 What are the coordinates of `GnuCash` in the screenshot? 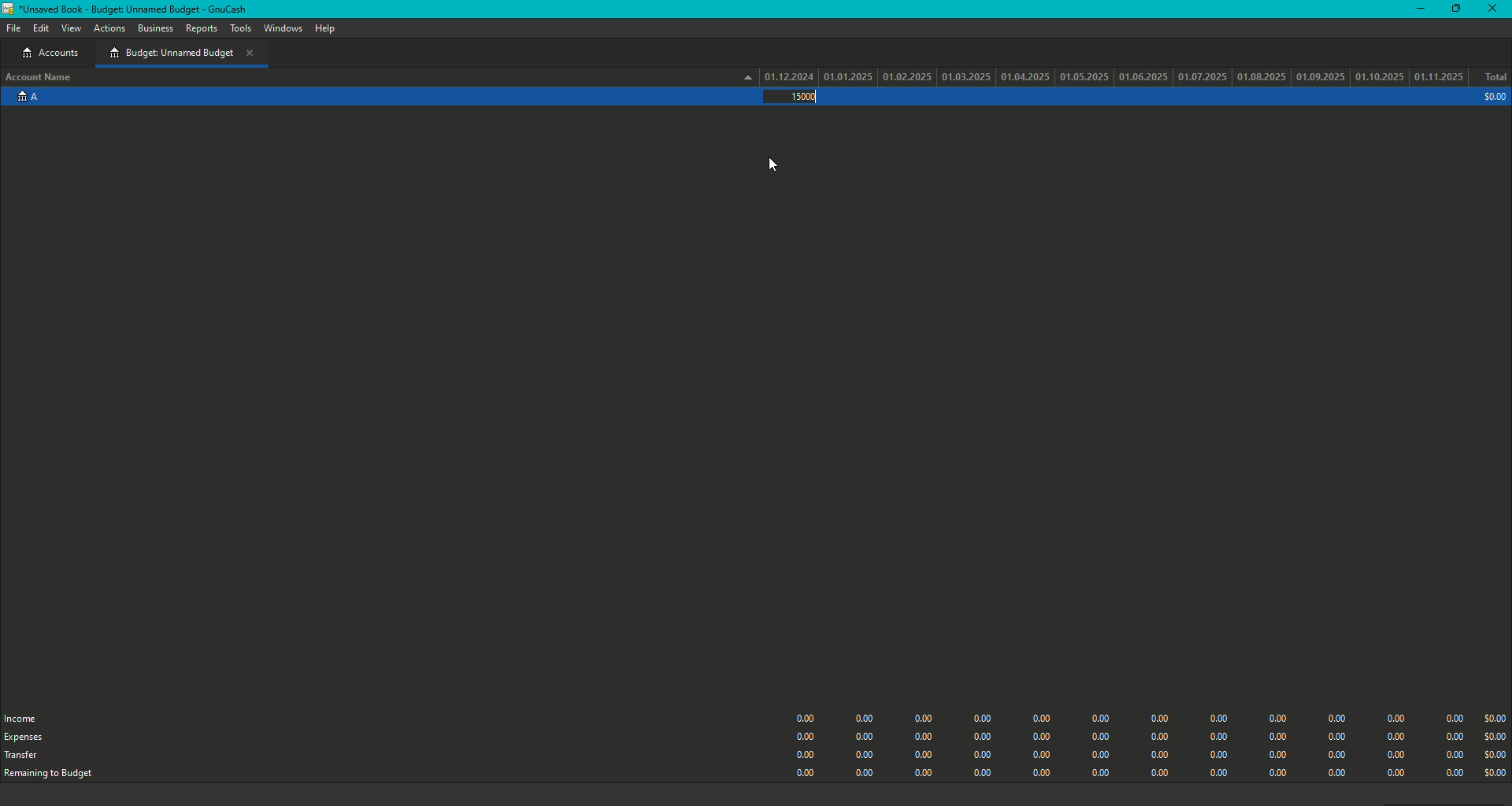 It's located at (131, 9).